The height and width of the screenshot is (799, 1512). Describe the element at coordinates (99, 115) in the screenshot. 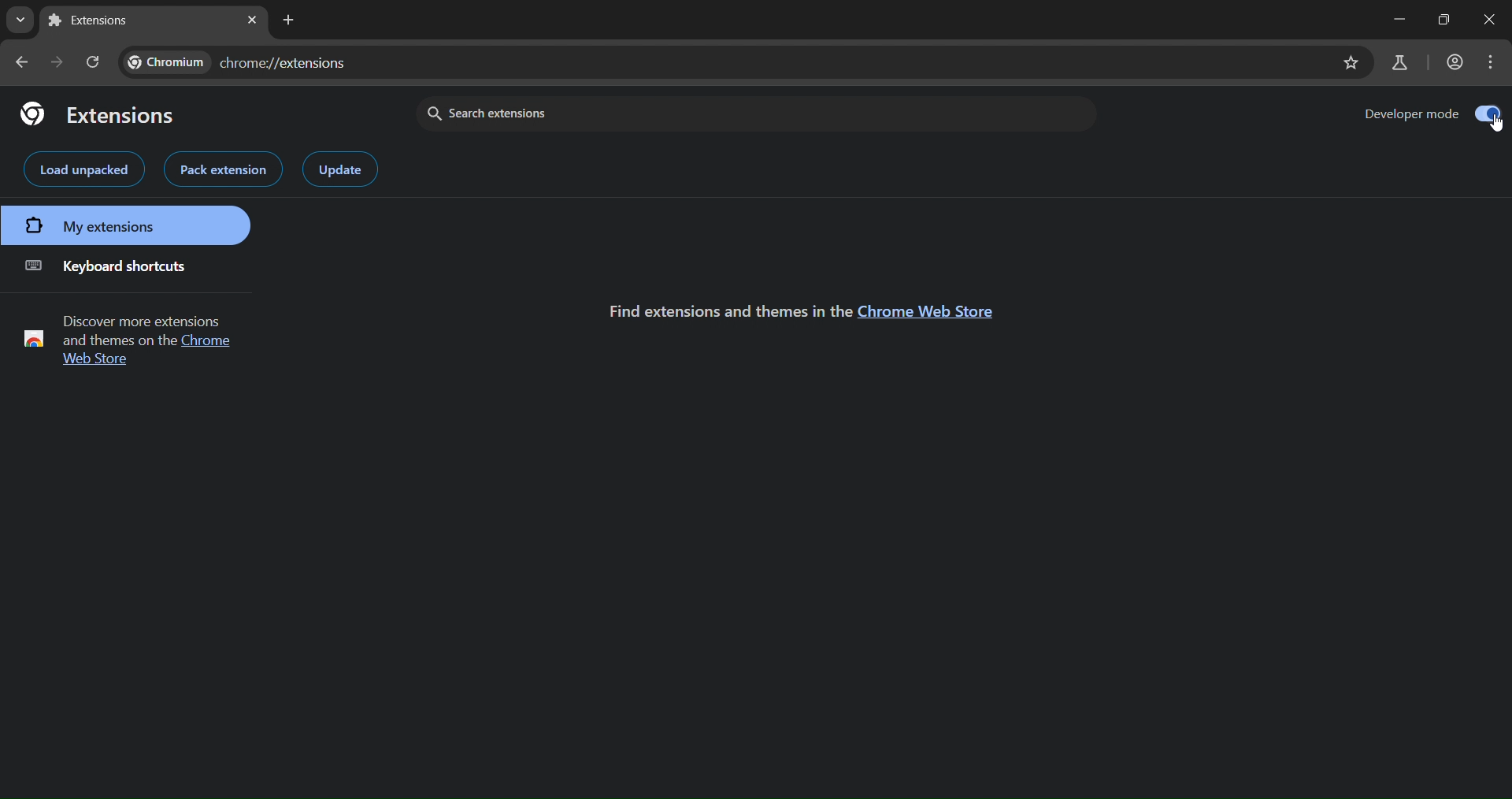

I see `extensions` at that location.